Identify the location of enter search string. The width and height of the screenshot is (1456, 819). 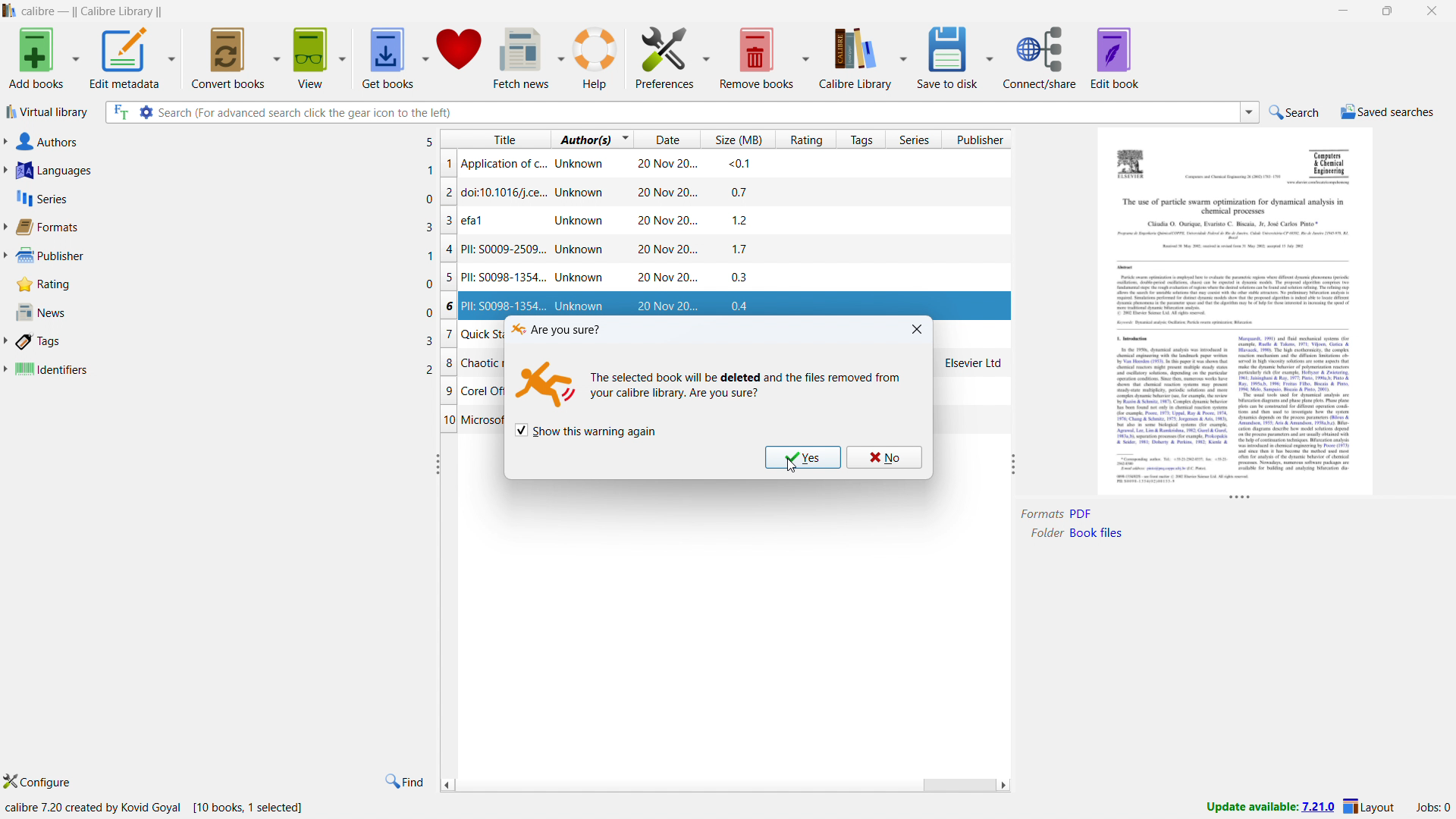
(696, 112).